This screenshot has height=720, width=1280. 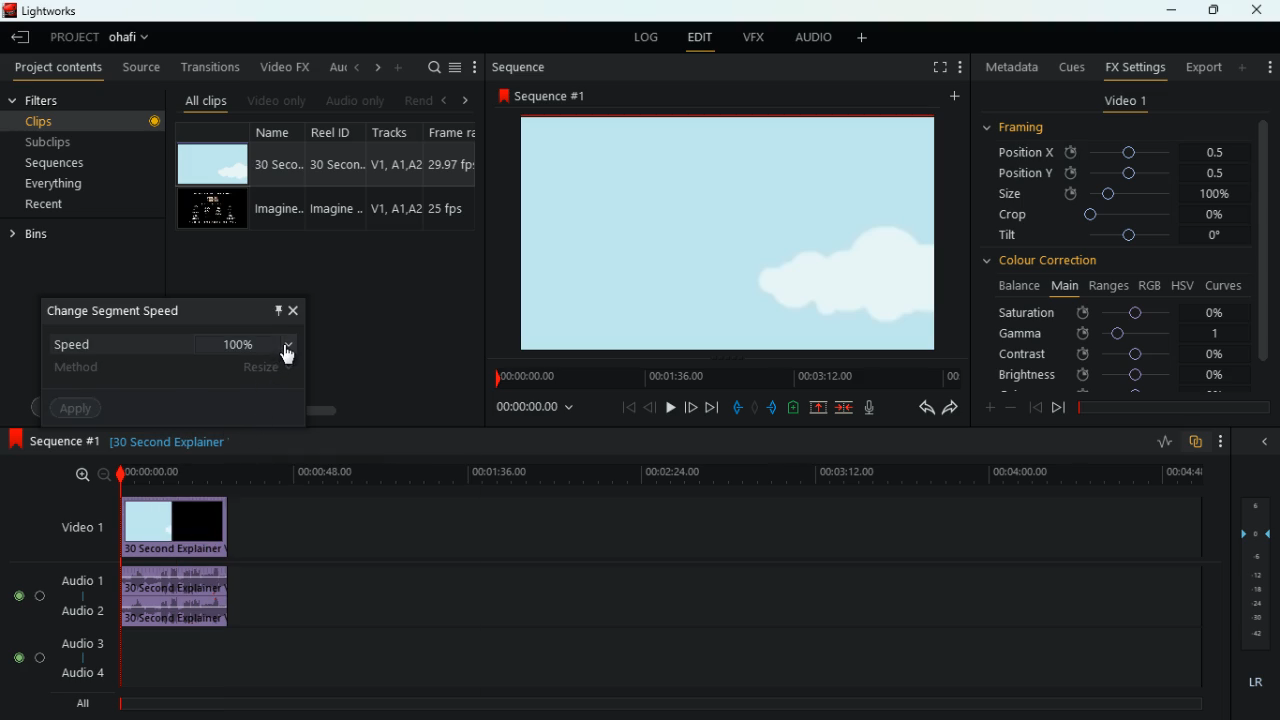 I want to click on vfx, so click(x=751, y=37).